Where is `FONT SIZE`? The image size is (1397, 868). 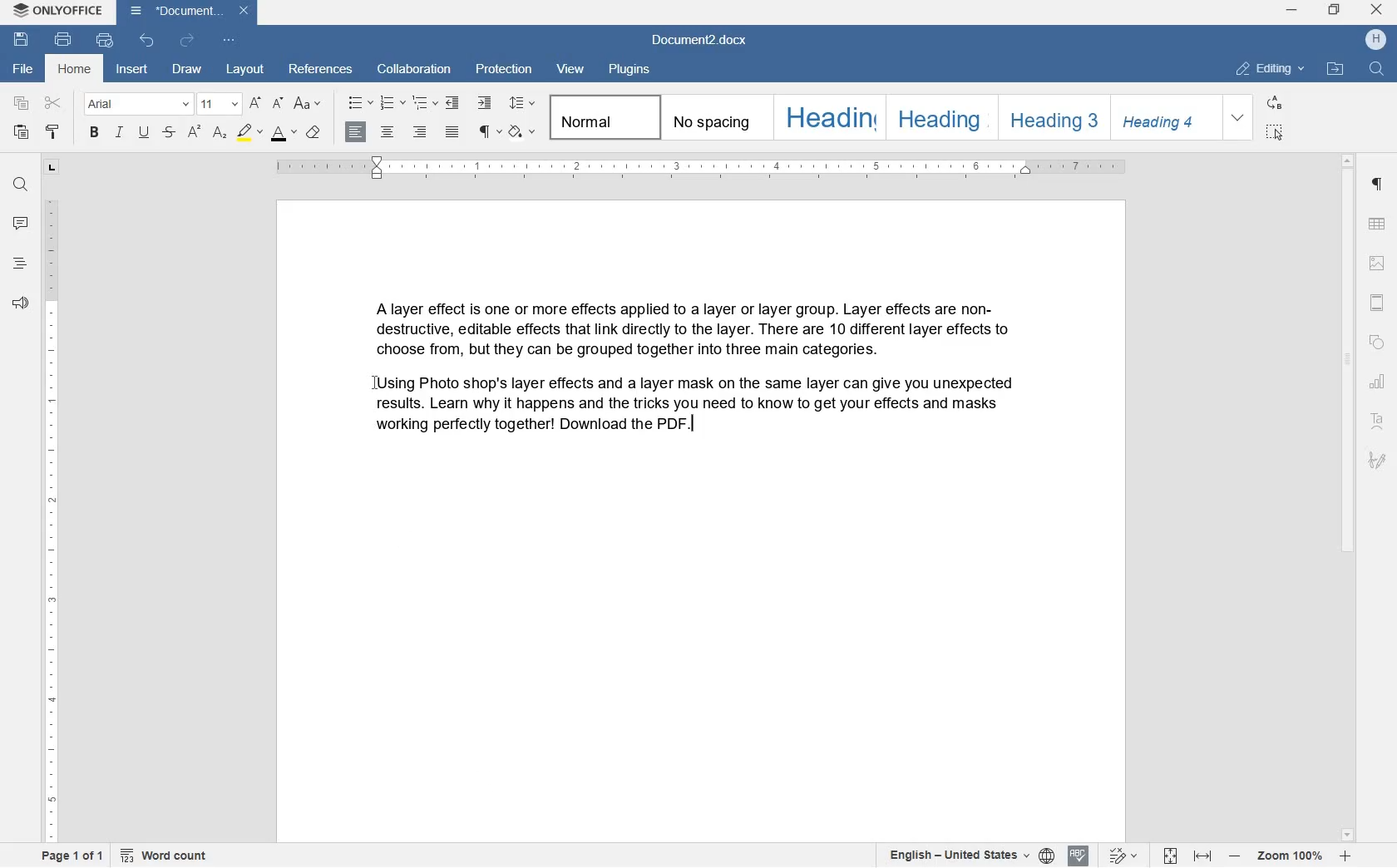
FONT SIZE is located at coordinates (218, 103).